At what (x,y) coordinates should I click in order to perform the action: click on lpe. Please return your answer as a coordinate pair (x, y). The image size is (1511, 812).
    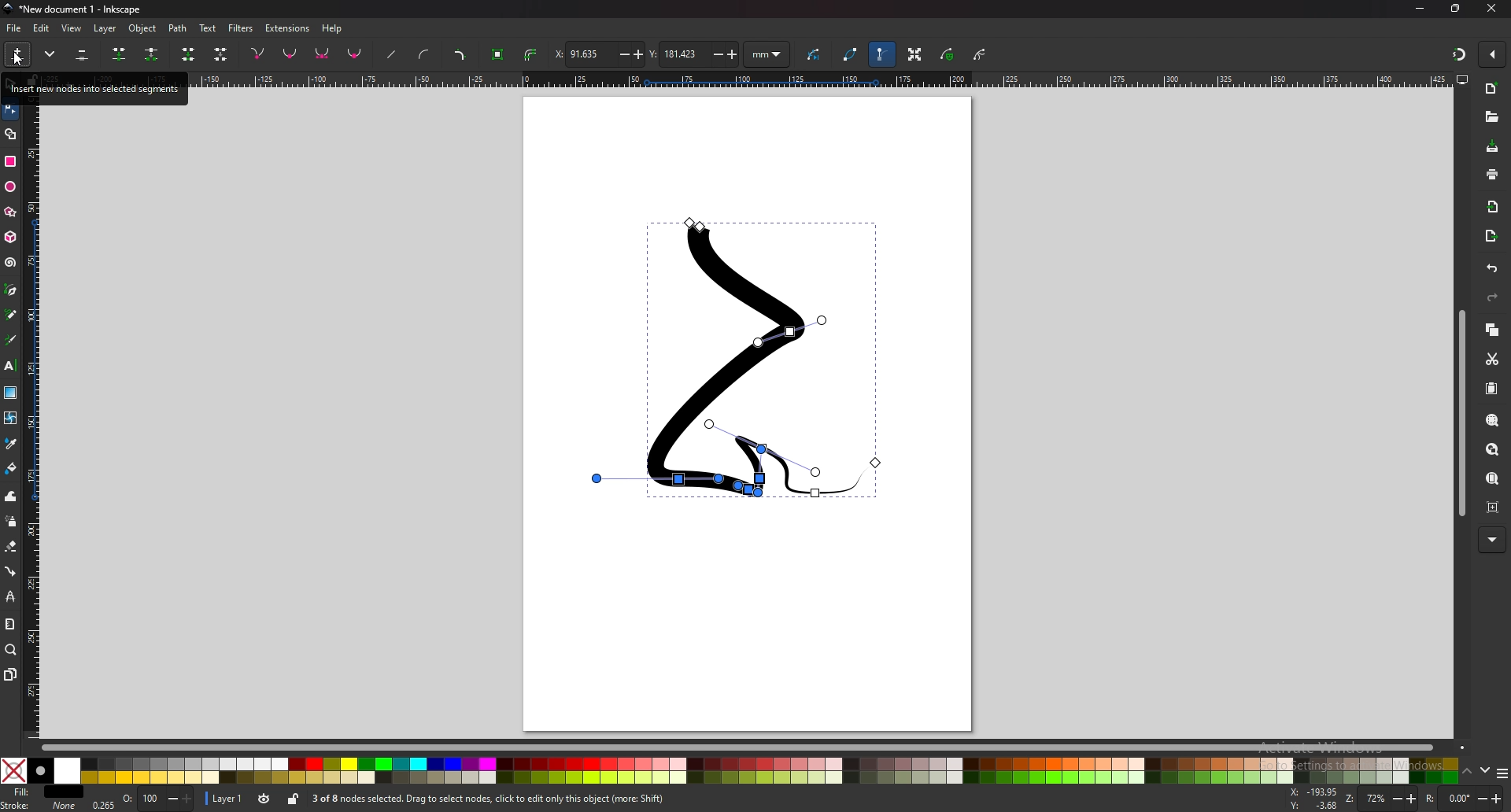
    Looking at the image, I should click on (10, 597).